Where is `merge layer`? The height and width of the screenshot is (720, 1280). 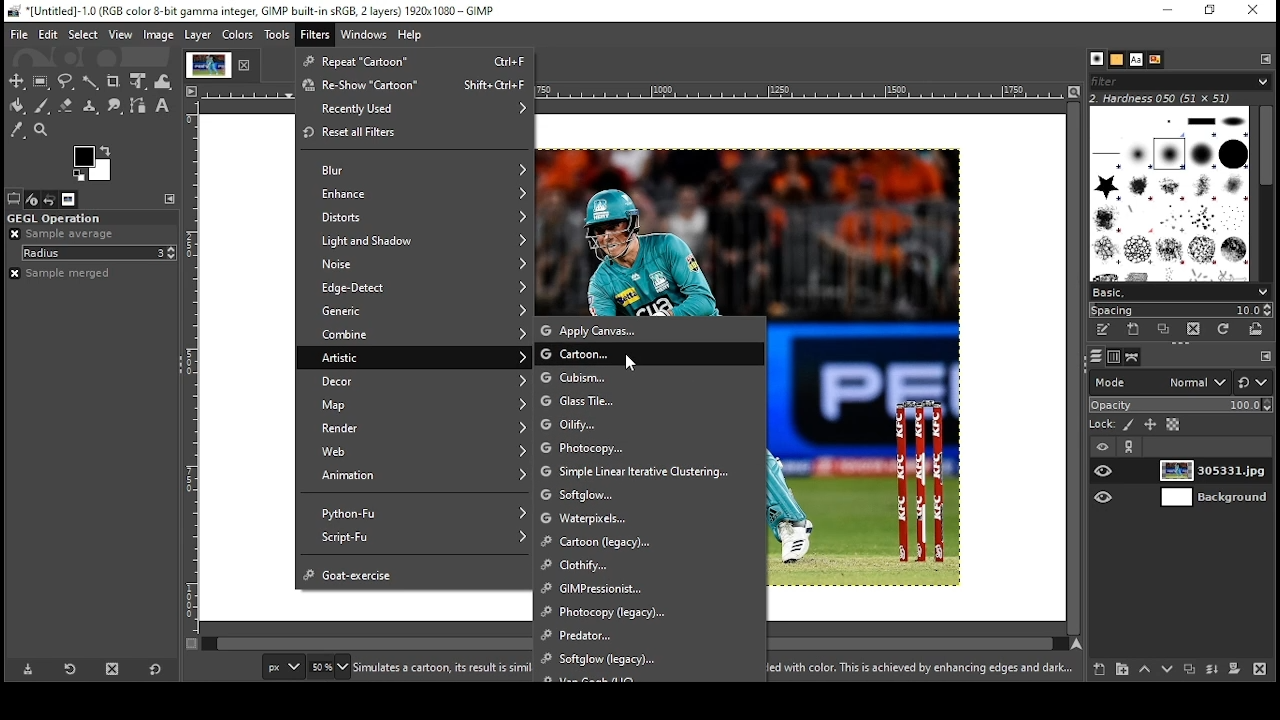
merge layer is located at coordinates (1213, 671).